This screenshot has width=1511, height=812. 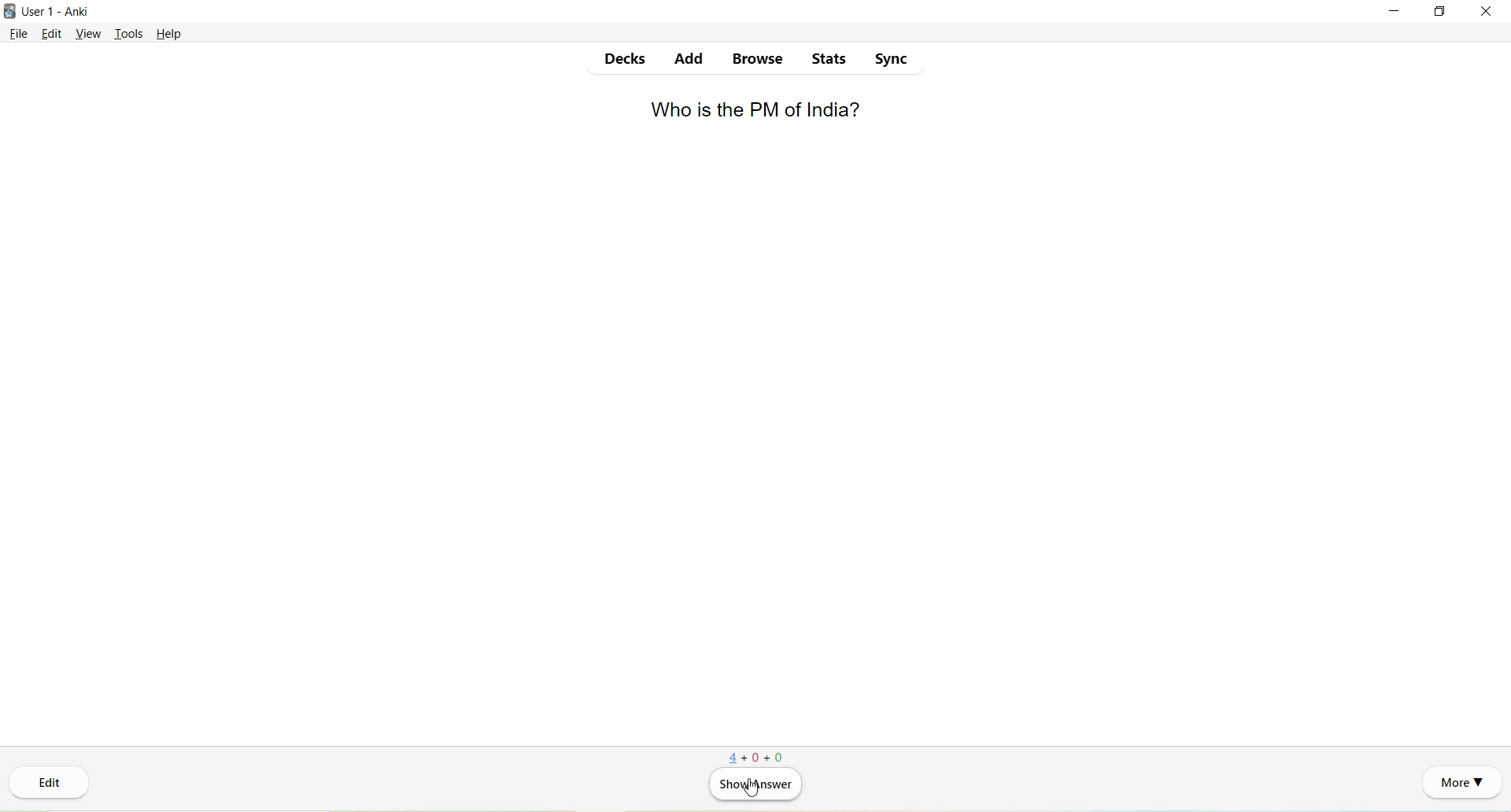 What do you see at coordinates (9, 12) in the screenshot?
I see `Logo` at bounding box center [9, 12].